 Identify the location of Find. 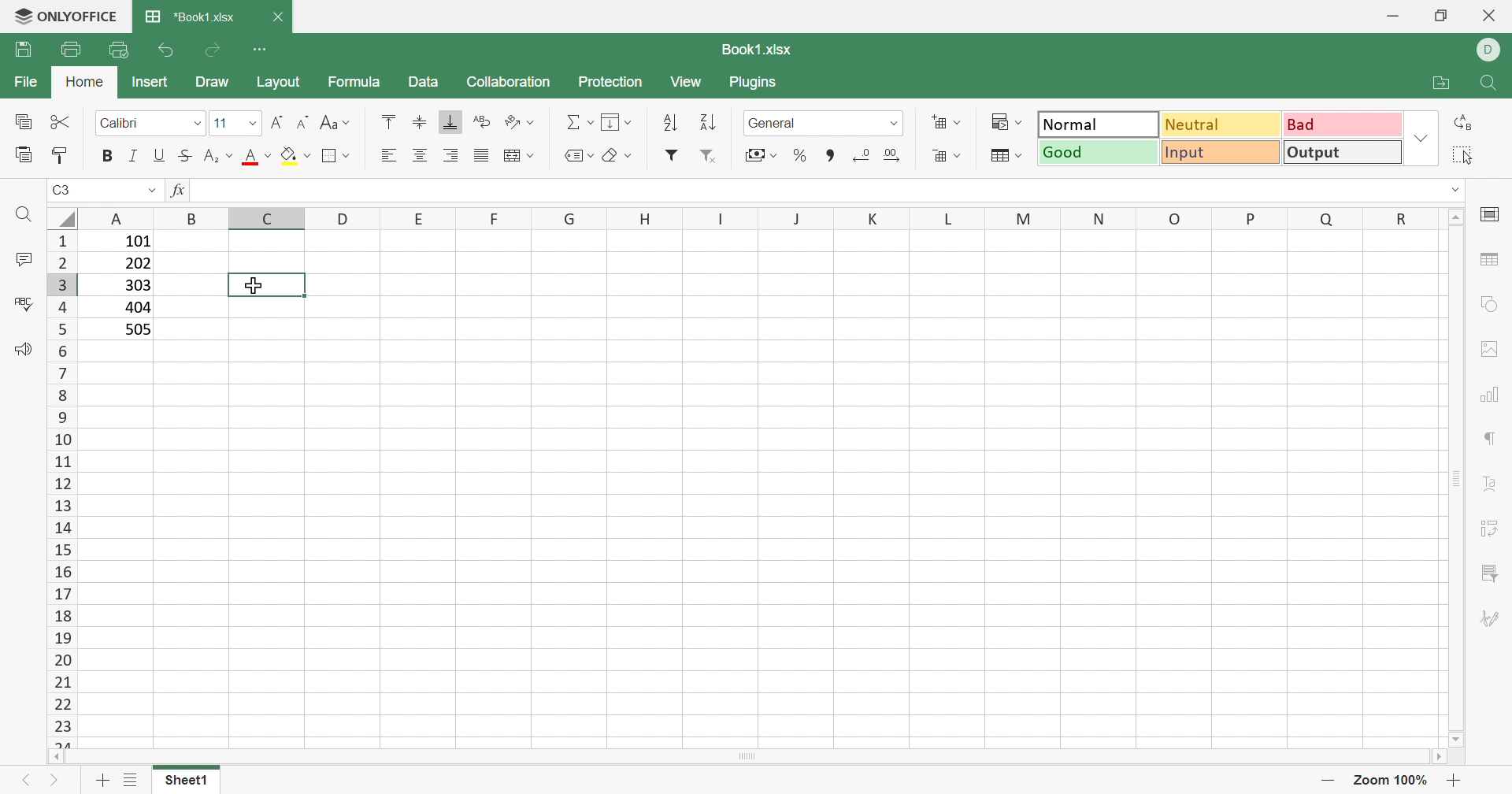
(21, 214).